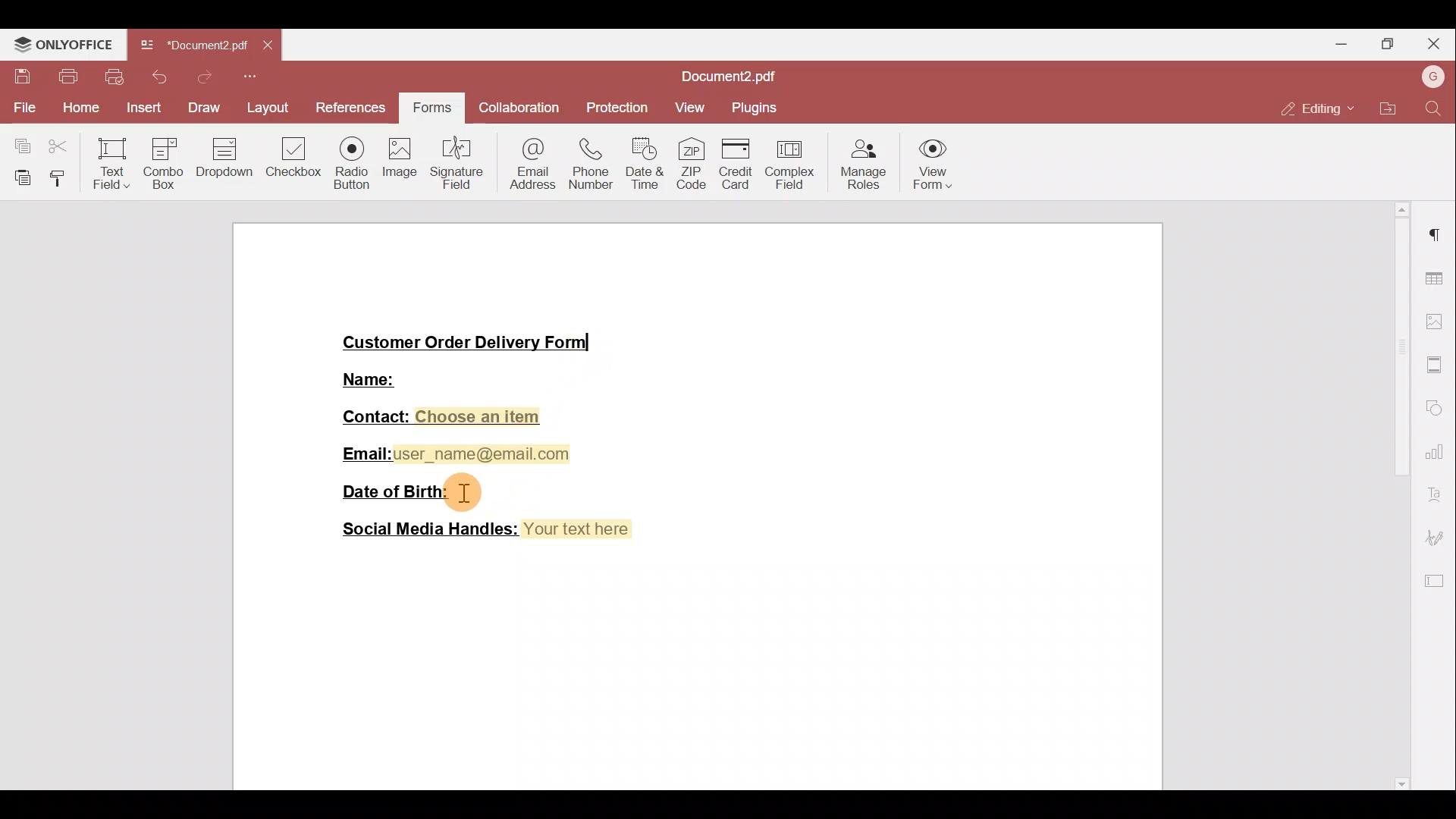  Describe the element at coordinates (467, 343) in the screenshot. I see `Customer Order Delivery Form|` at that location.